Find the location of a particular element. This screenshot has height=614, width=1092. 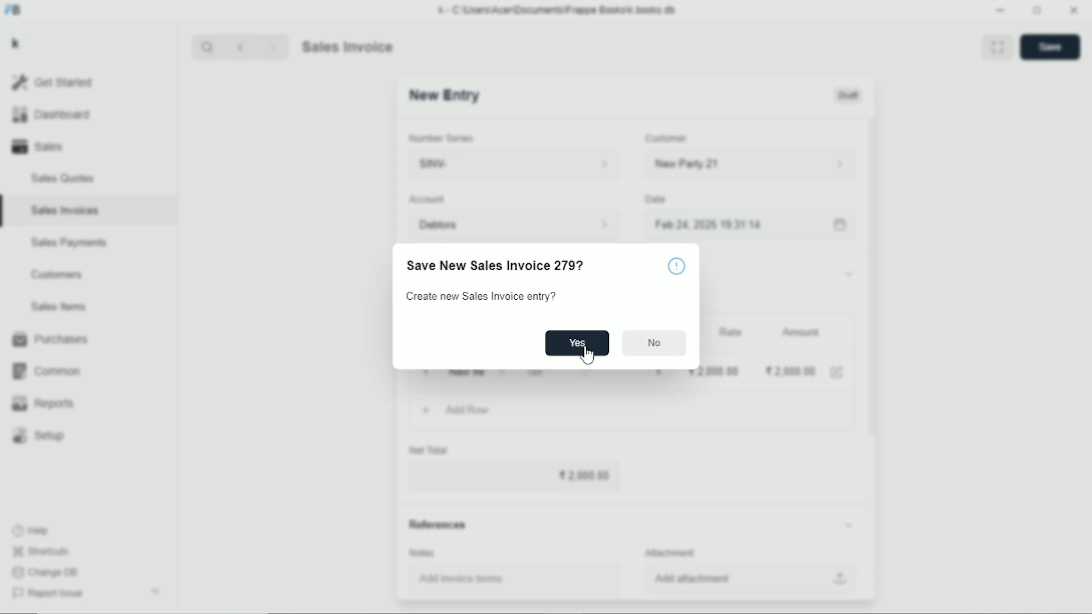

Notes is located at coordinates (422, 553).